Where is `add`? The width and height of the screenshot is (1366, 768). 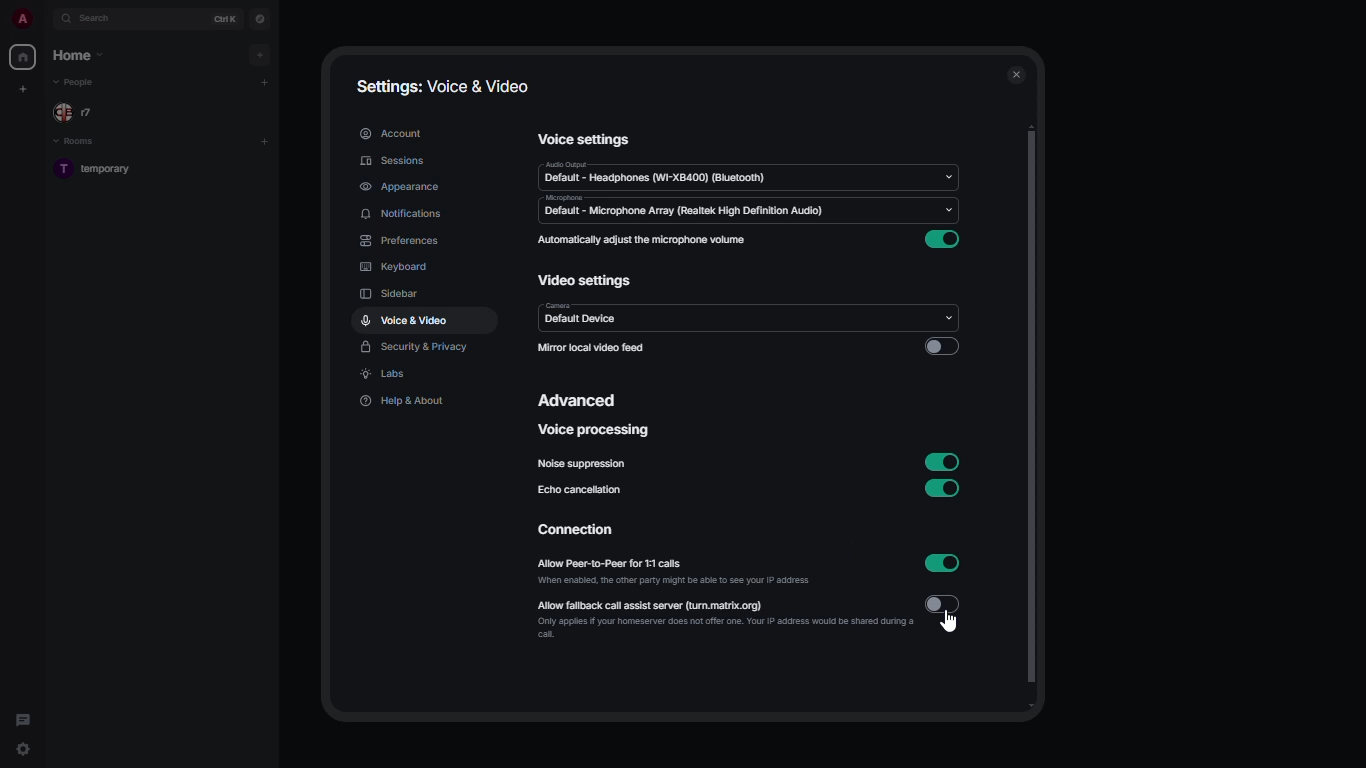
add is located at coordinates (258, 54).